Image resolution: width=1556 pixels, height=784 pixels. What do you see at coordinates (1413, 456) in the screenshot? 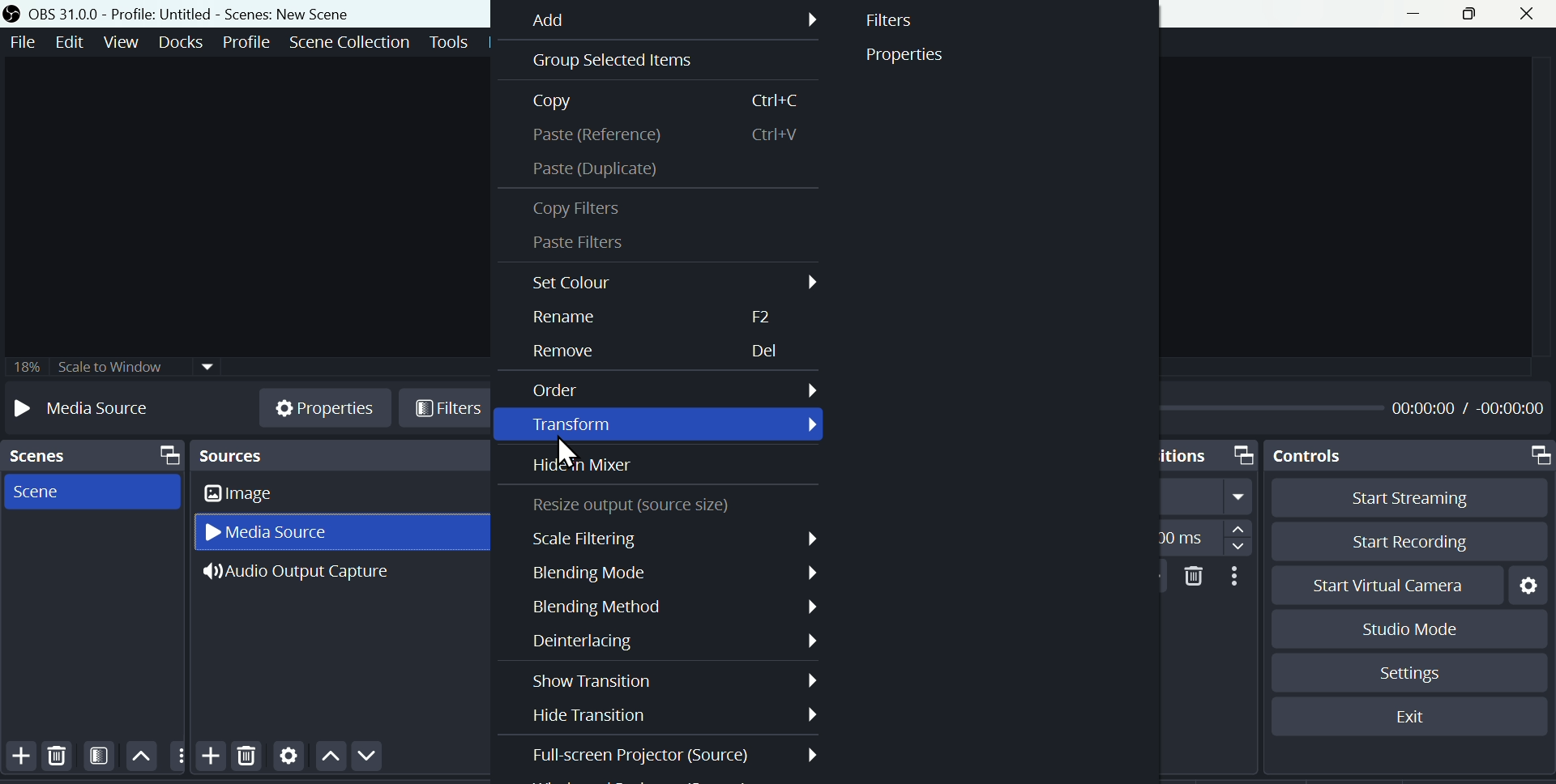
I see `Controls` at bounding box center [1413, 456].